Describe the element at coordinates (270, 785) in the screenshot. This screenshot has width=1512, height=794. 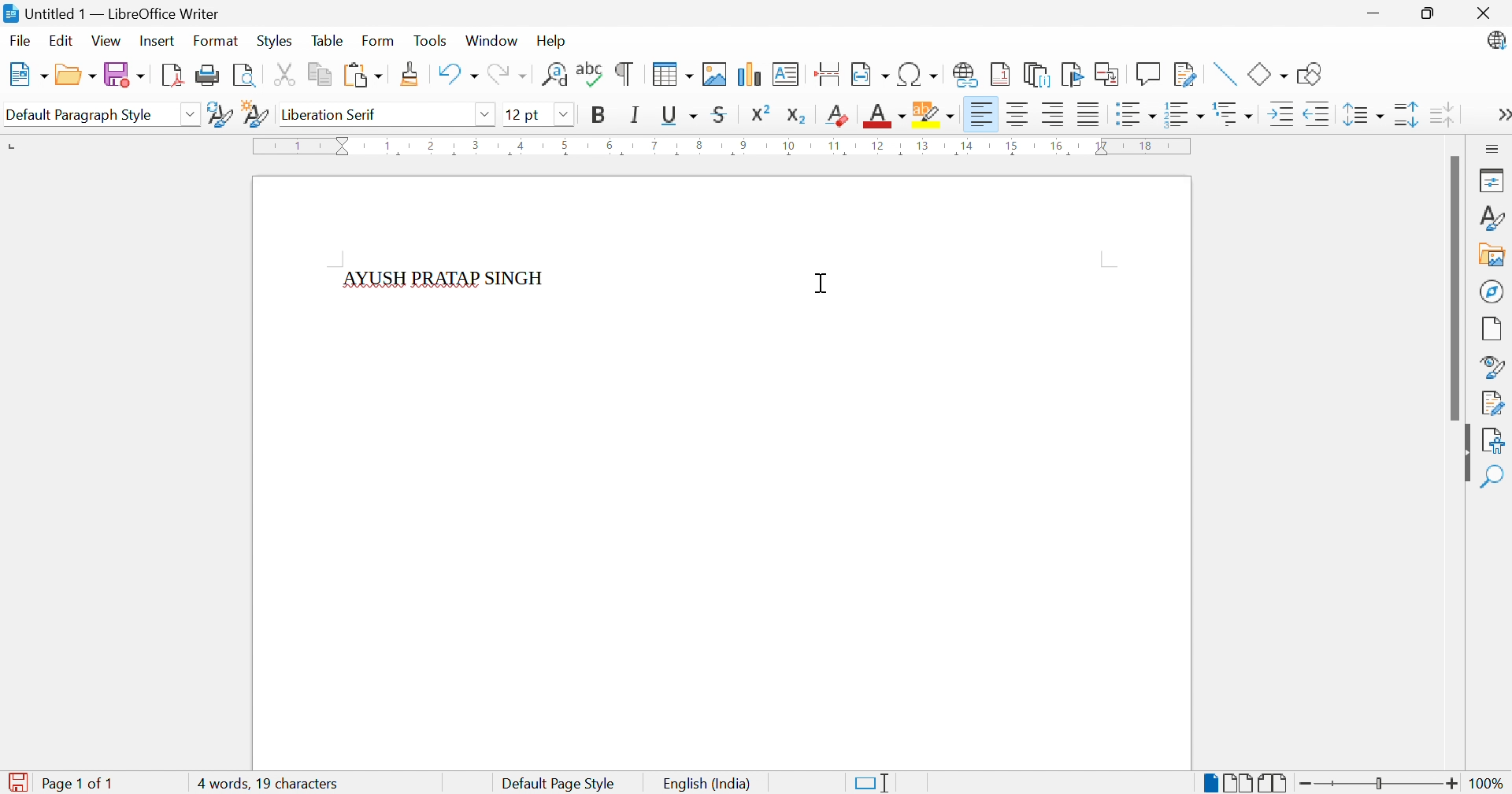
I see `4 words, 19 characters` at that location.